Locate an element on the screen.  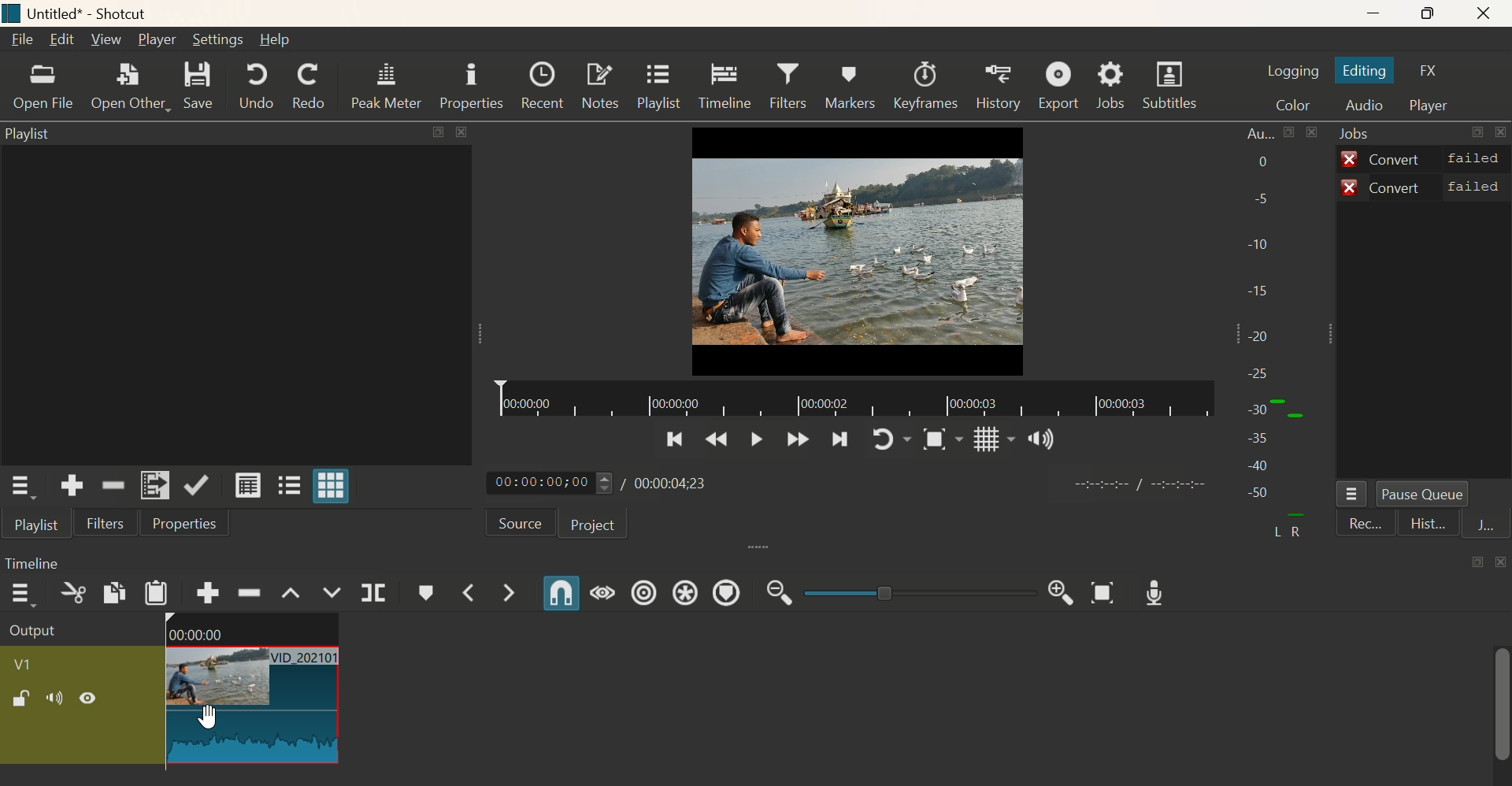
Markers is located at coordinates (849, 85).